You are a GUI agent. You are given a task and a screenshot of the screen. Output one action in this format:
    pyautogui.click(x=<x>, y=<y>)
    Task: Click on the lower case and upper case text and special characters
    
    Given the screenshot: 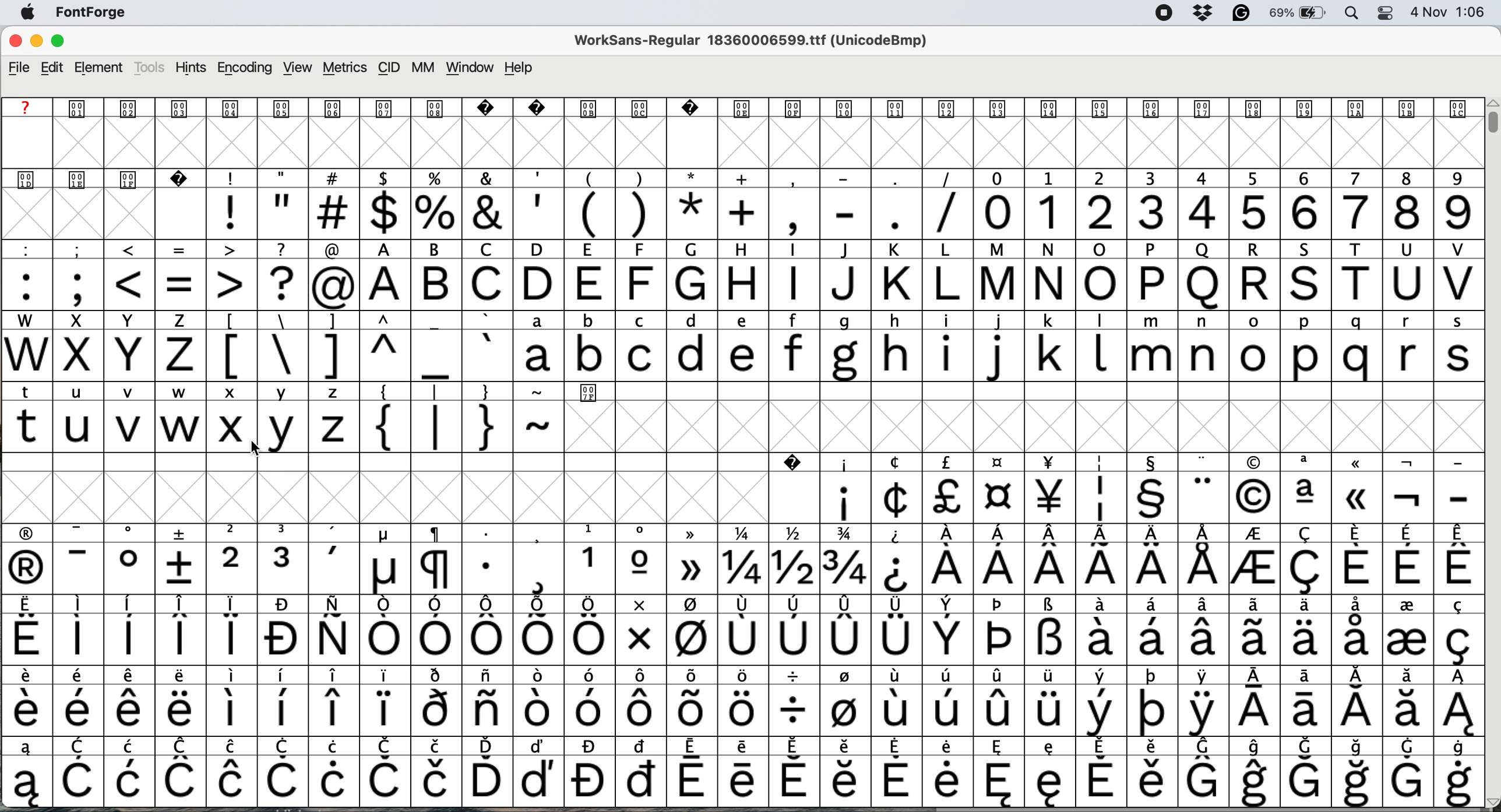 What is the action you would take?
    pyautogui.click(x=745, y=318)
    